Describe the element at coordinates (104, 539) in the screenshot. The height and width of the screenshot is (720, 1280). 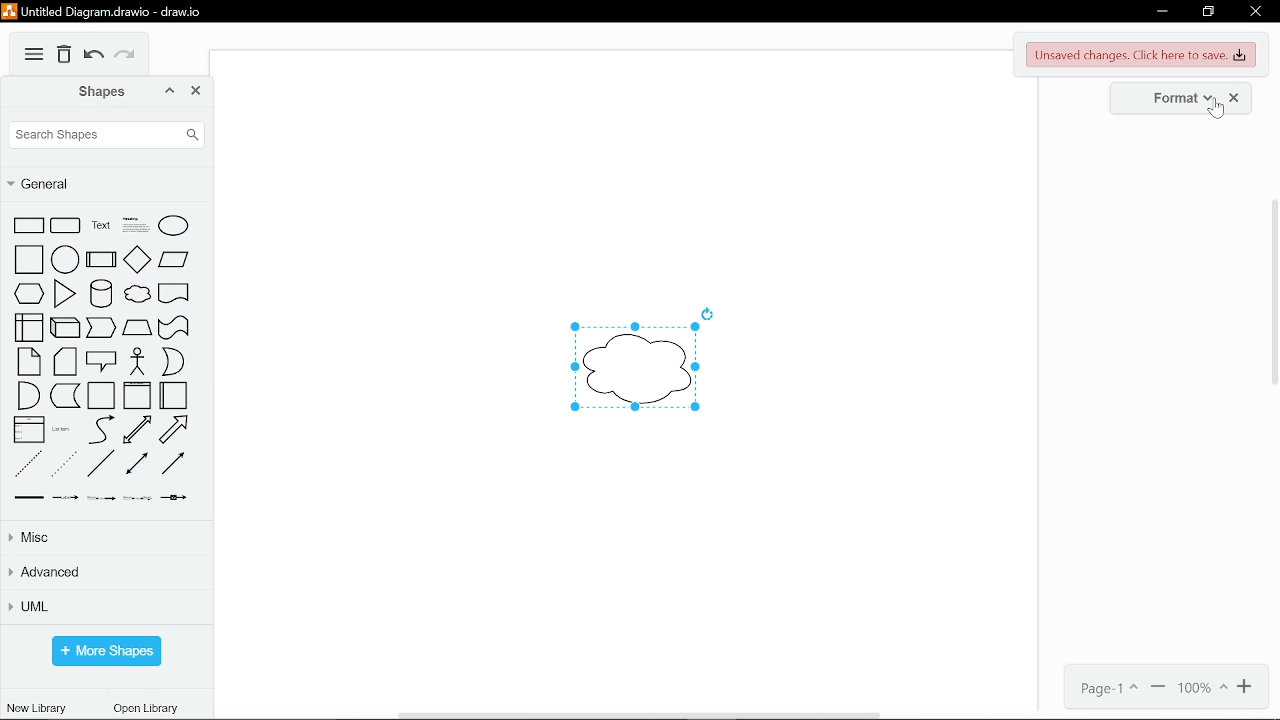
I see `misc` at that location.